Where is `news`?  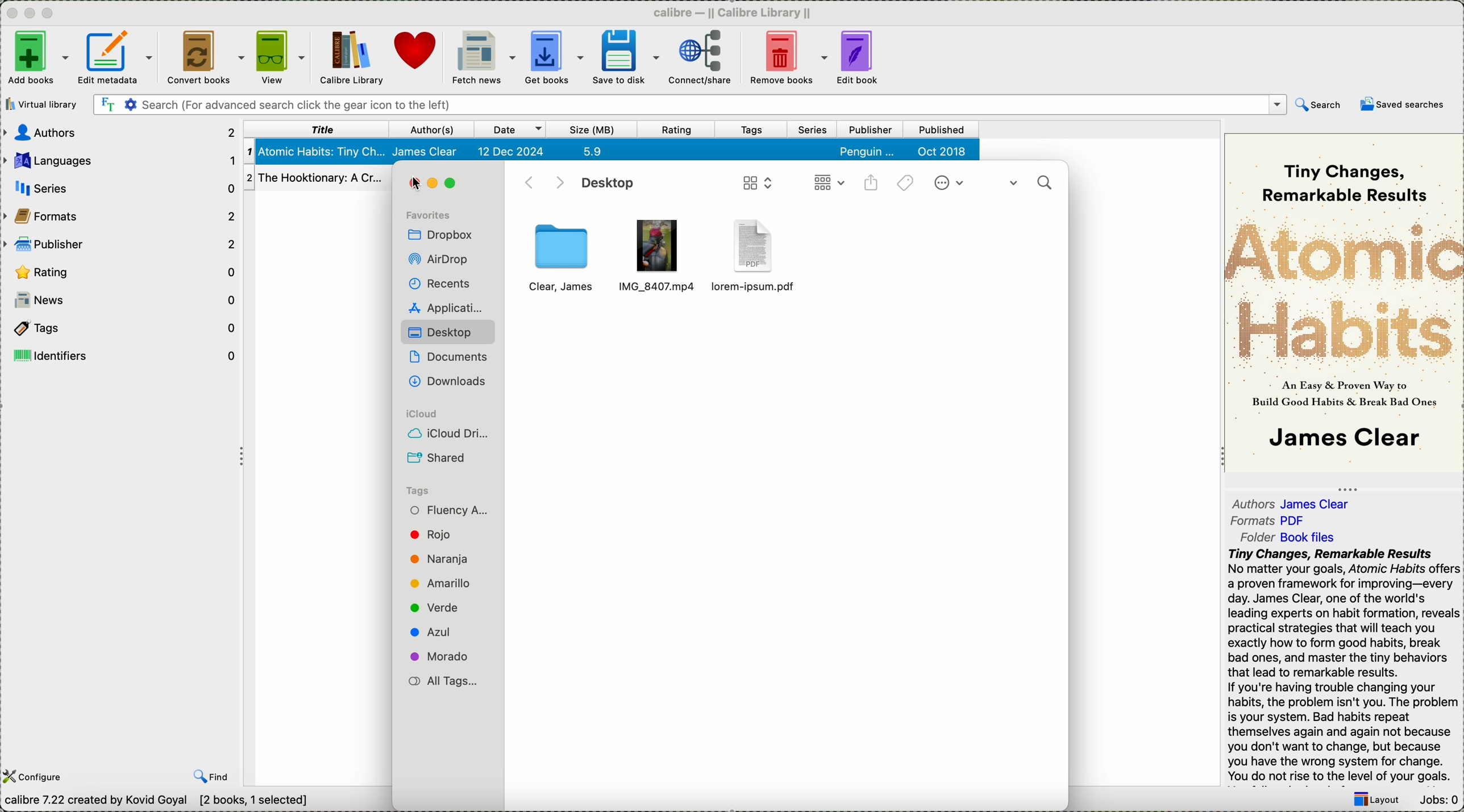 news is located at coordinates (126, 300).